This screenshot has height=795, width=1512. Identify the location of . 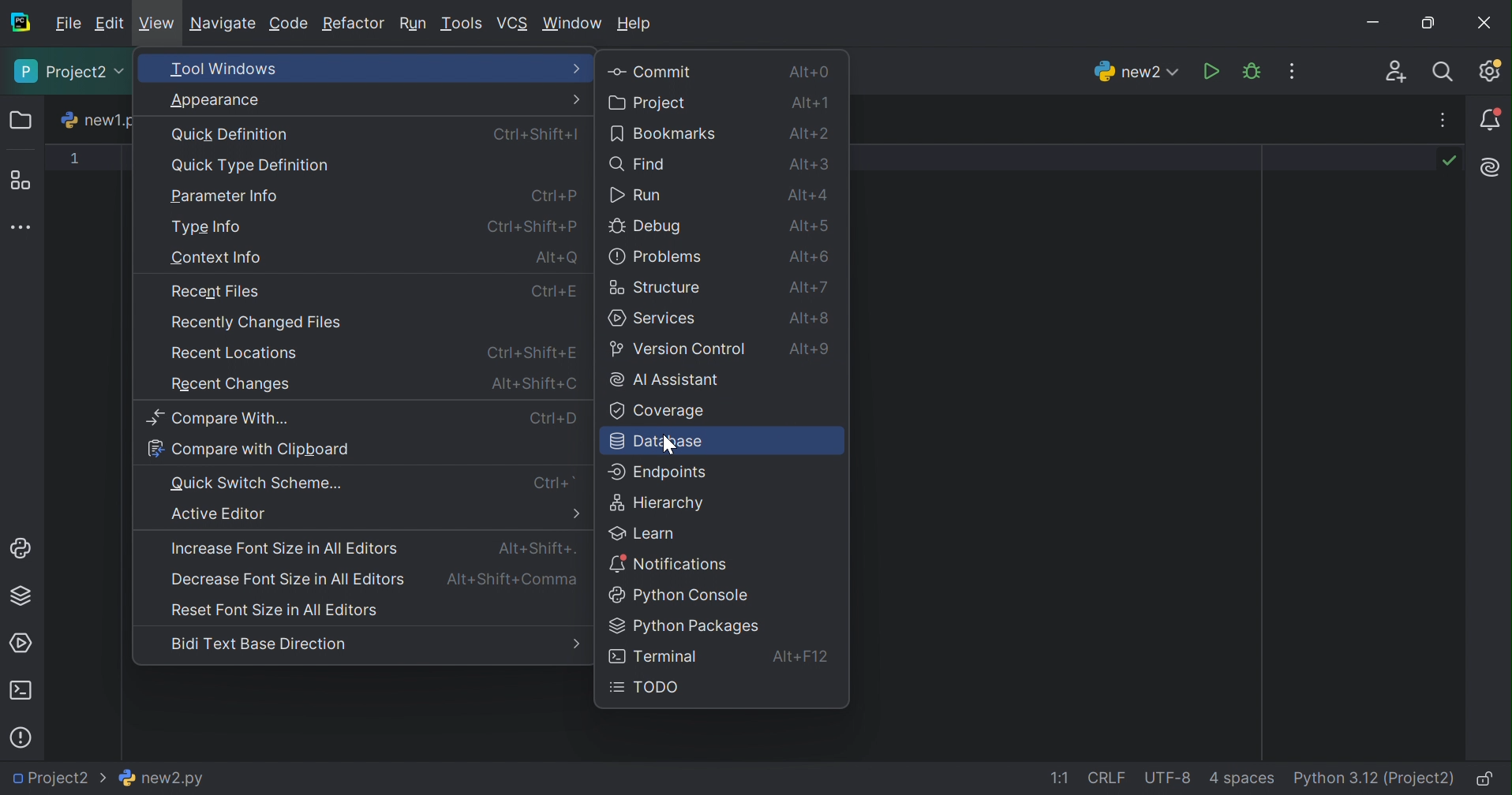
(22, 120).